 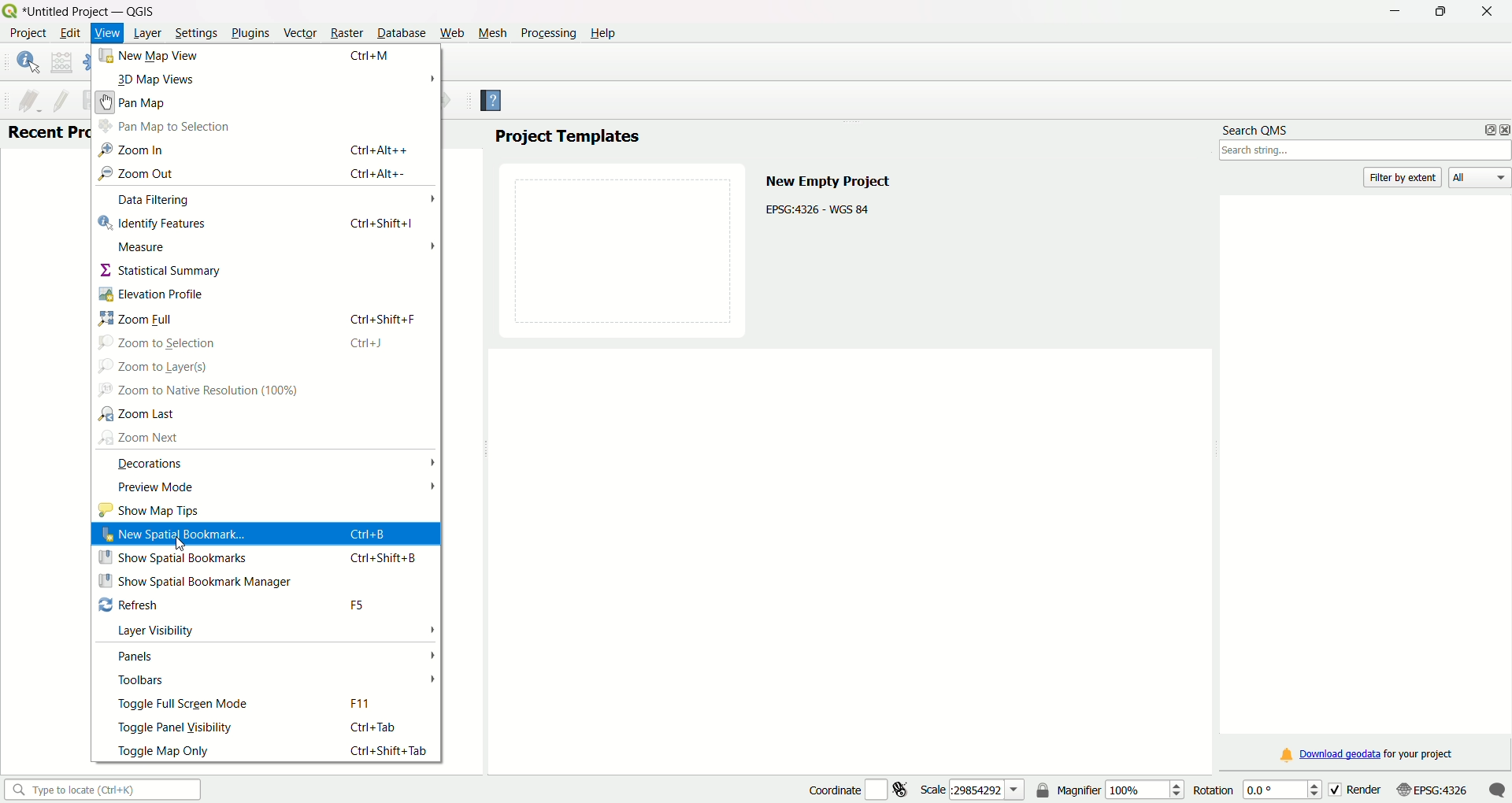 I want to click on Cursor, so click(x=182, y=546).